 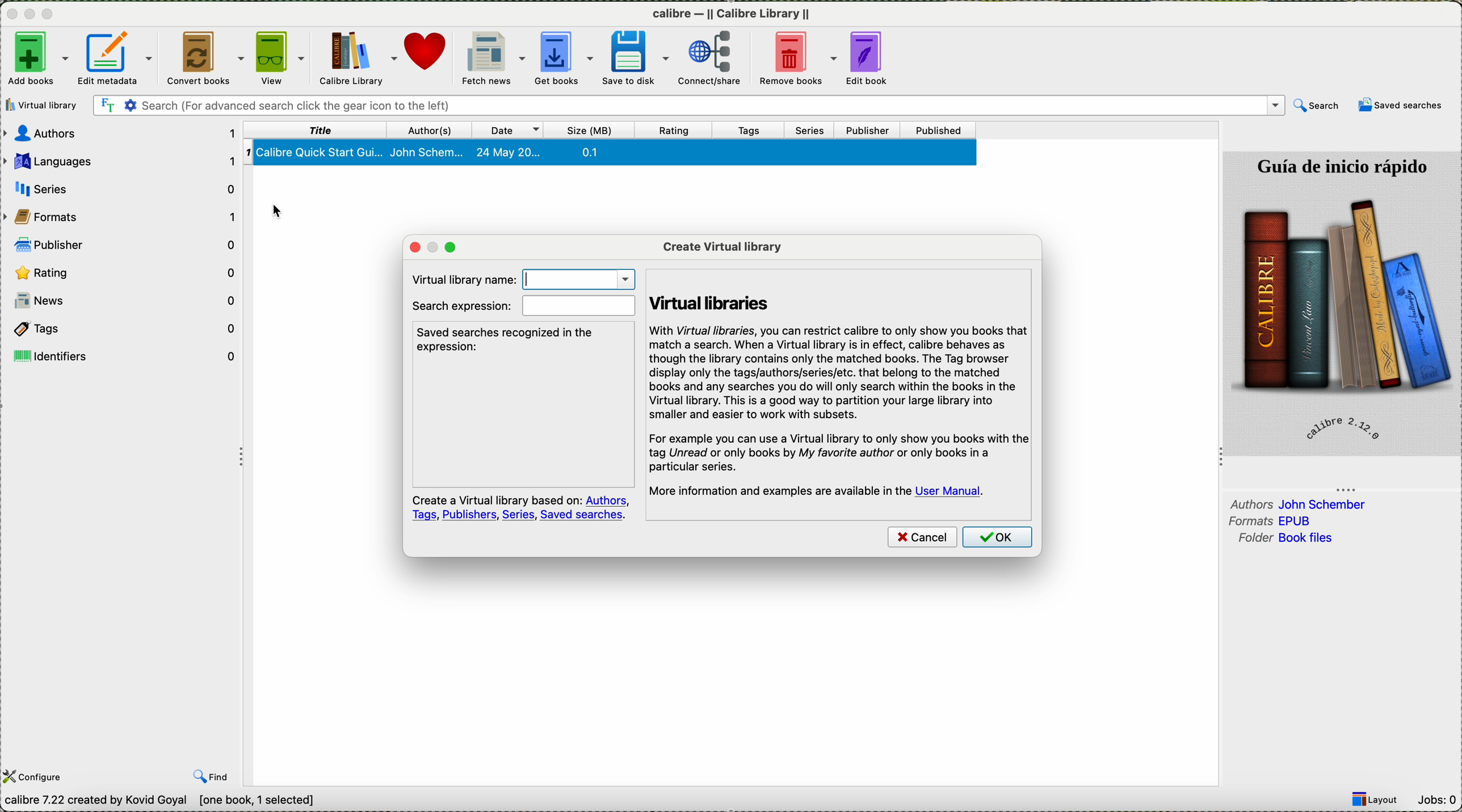 What do you see at coordinates (44, 105) in the screenshot?
I see `click on virtual library` at bounding box center [44, 105].